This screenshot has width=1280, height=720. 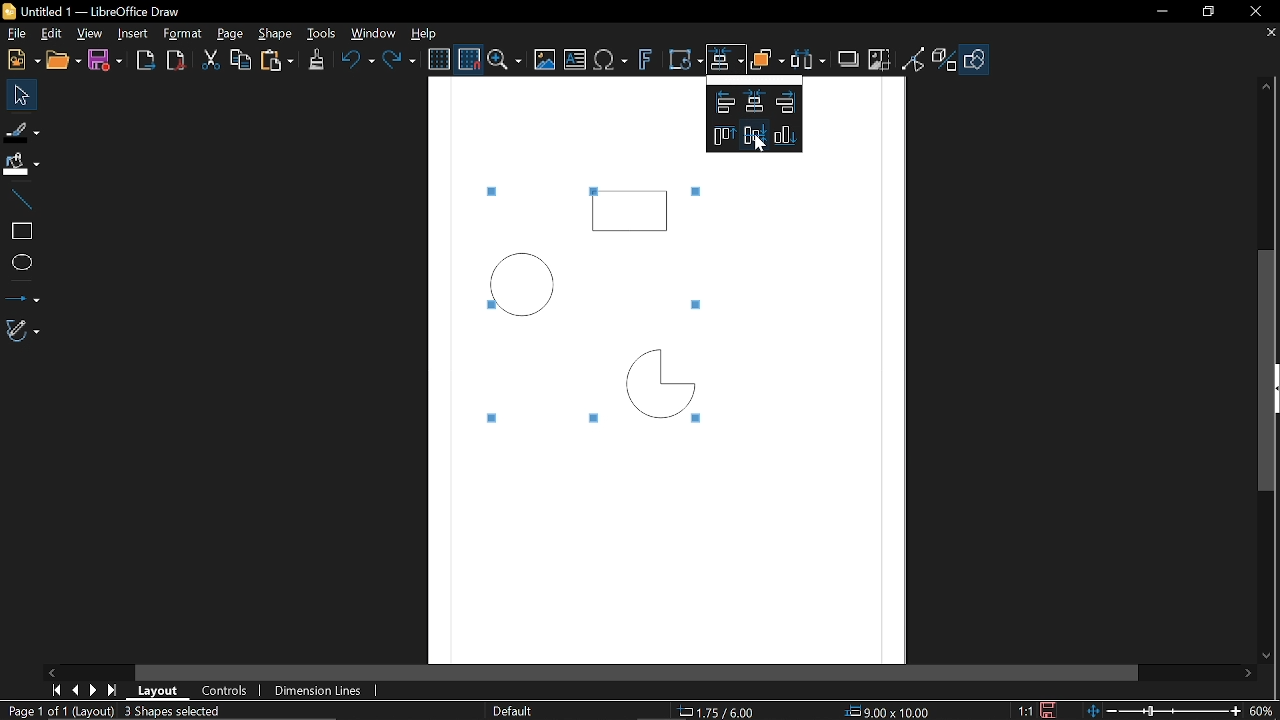 What do you see at coordinates (315, 62) in the screenshot?
I see `Clone` at bounding box center [315, 62].